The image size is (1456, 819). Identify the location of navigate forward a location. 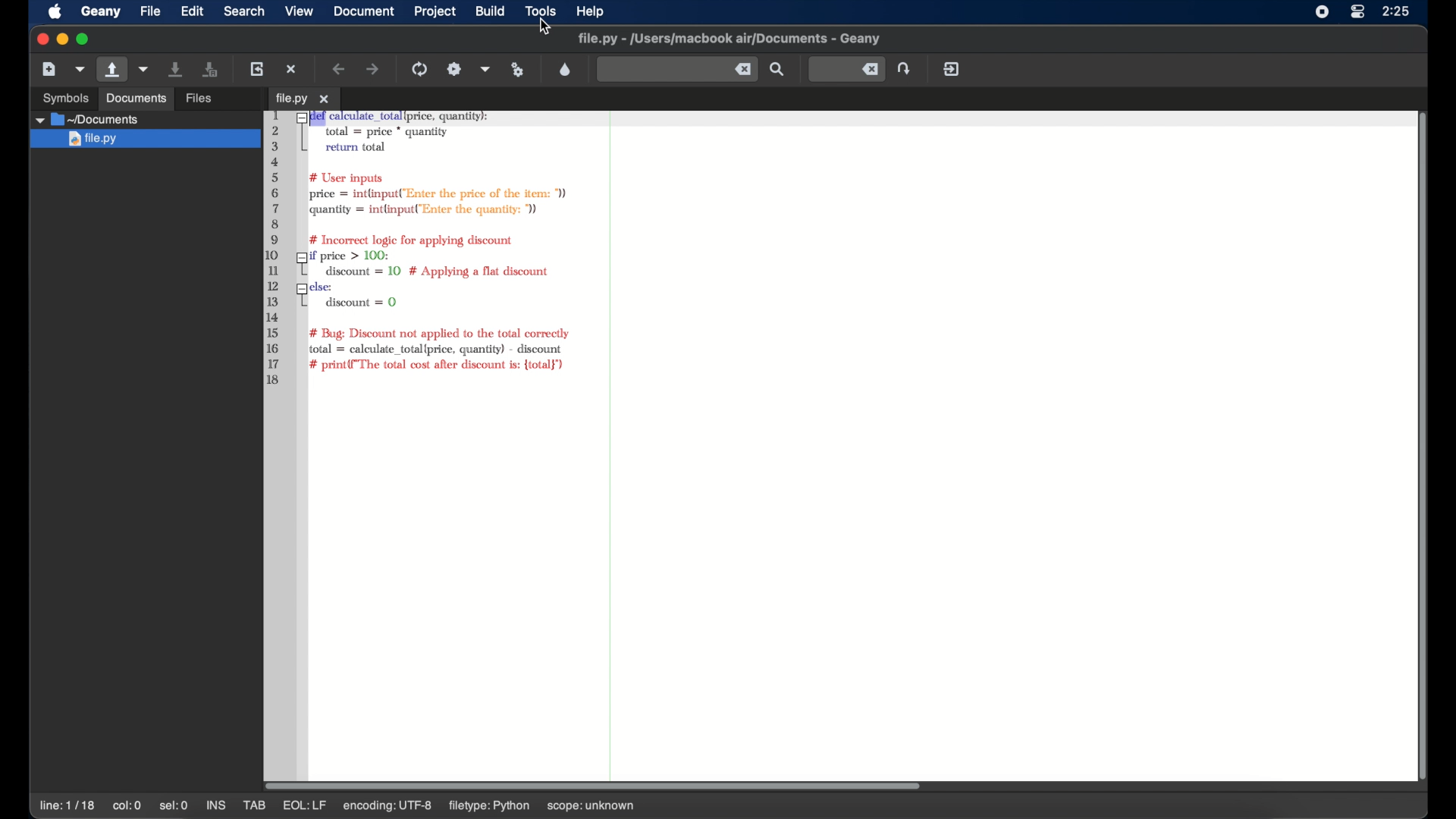
(374, 70).